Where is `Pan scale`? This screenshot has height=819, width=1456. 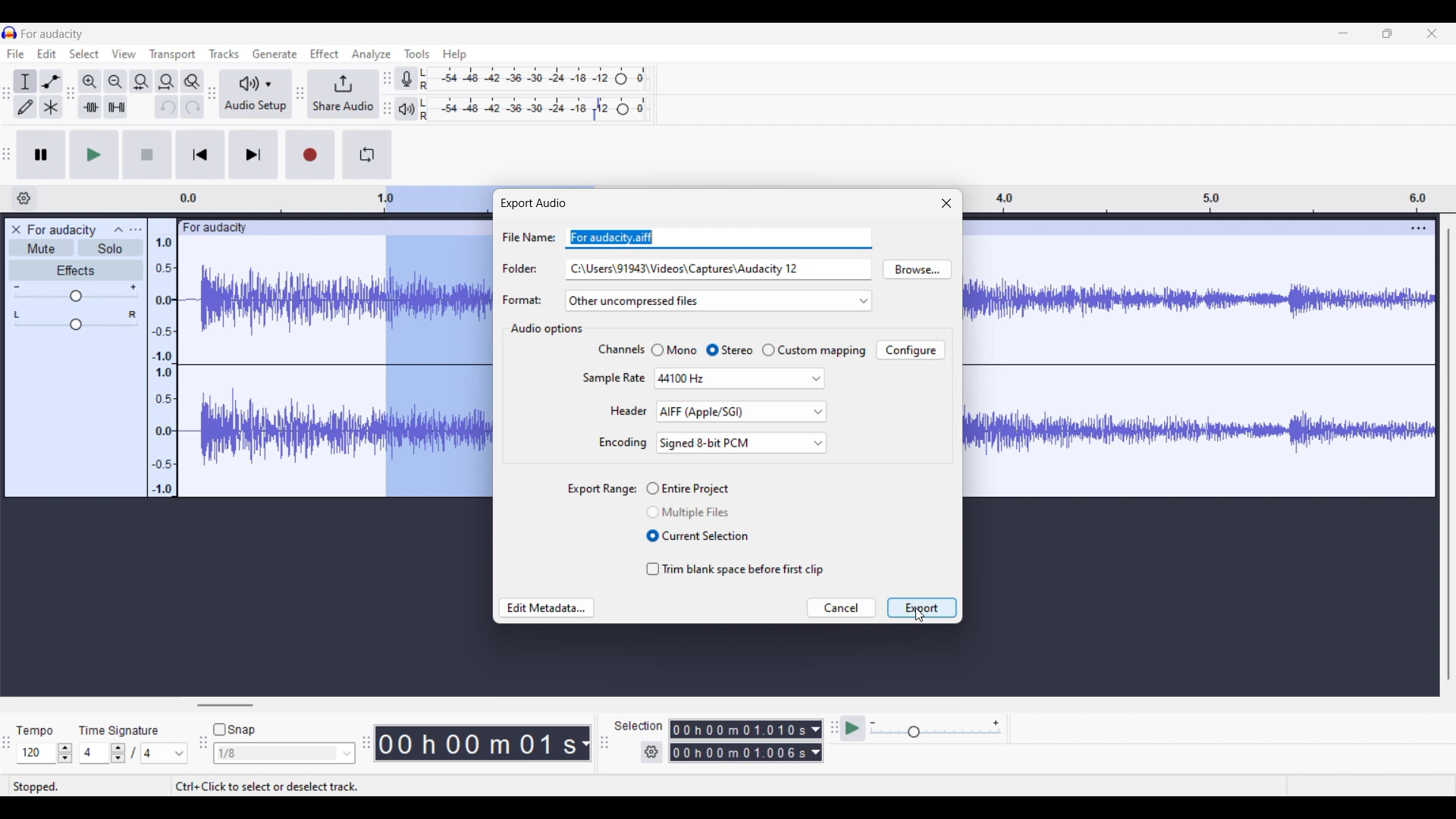 Pan scale is located at coordinates (75, 320).